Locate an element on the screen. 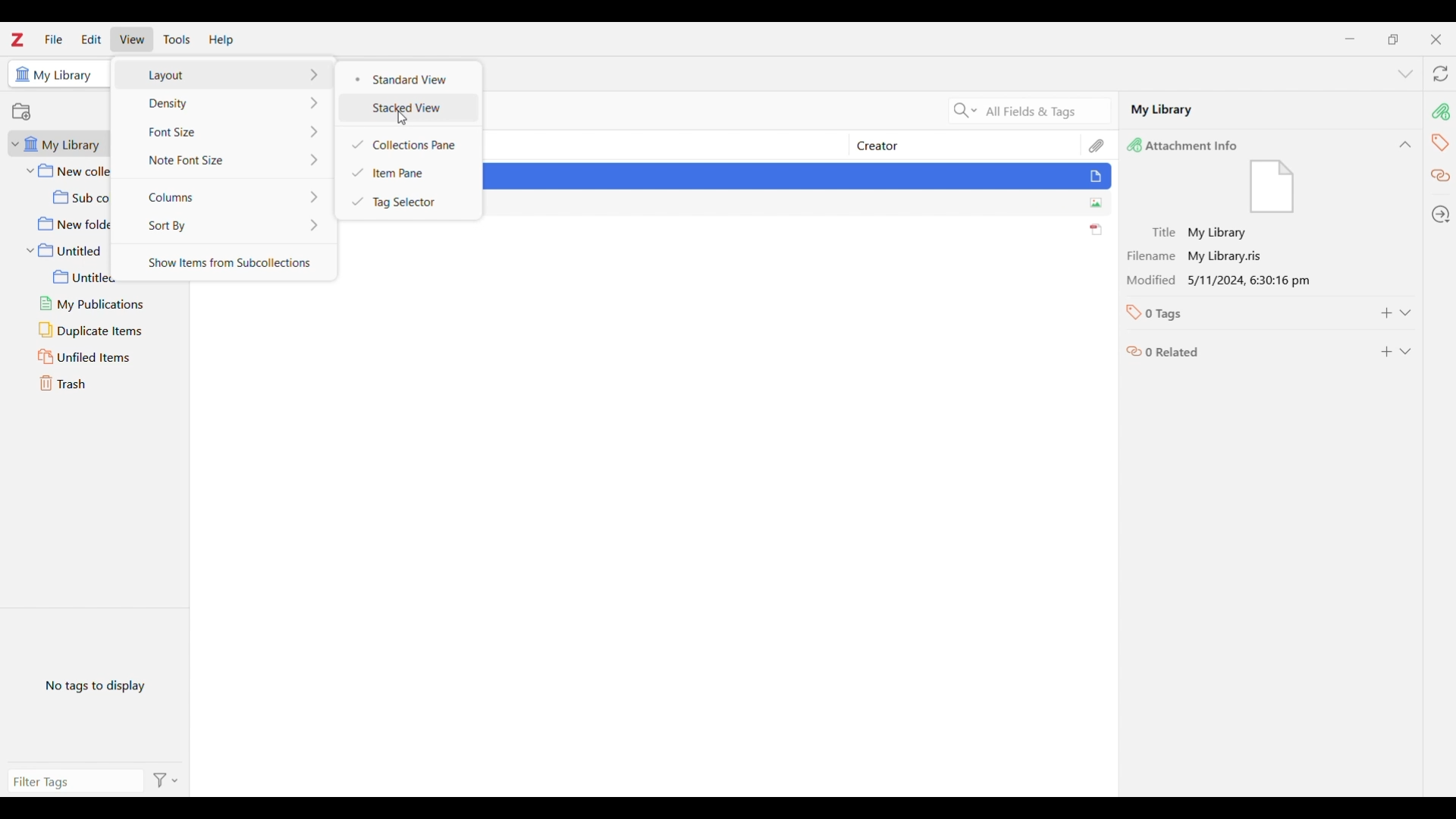  Selected search criteria is located at coordinates (1046, 111).